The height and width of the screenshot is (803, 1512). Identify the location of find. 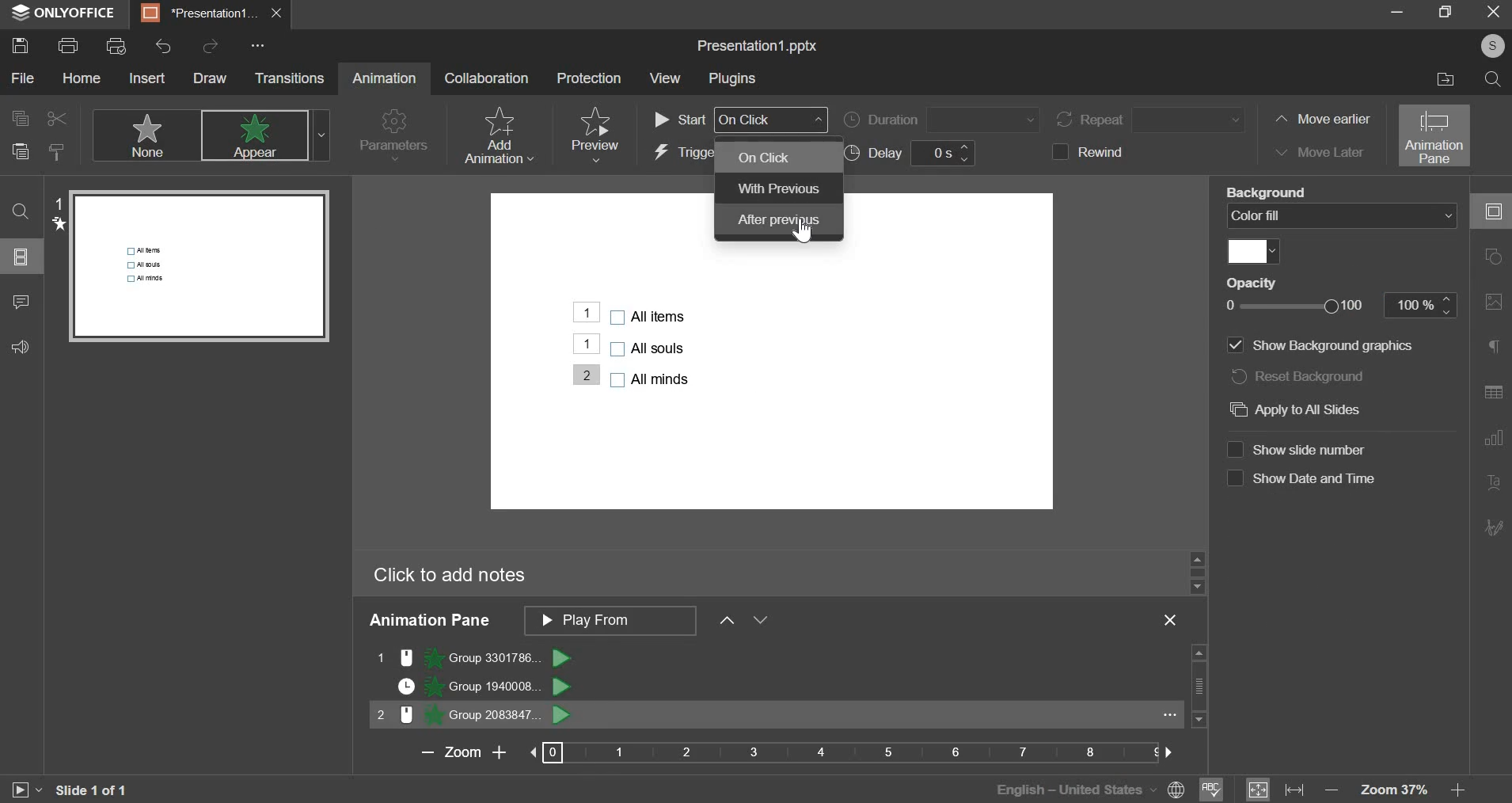
(21, 211).